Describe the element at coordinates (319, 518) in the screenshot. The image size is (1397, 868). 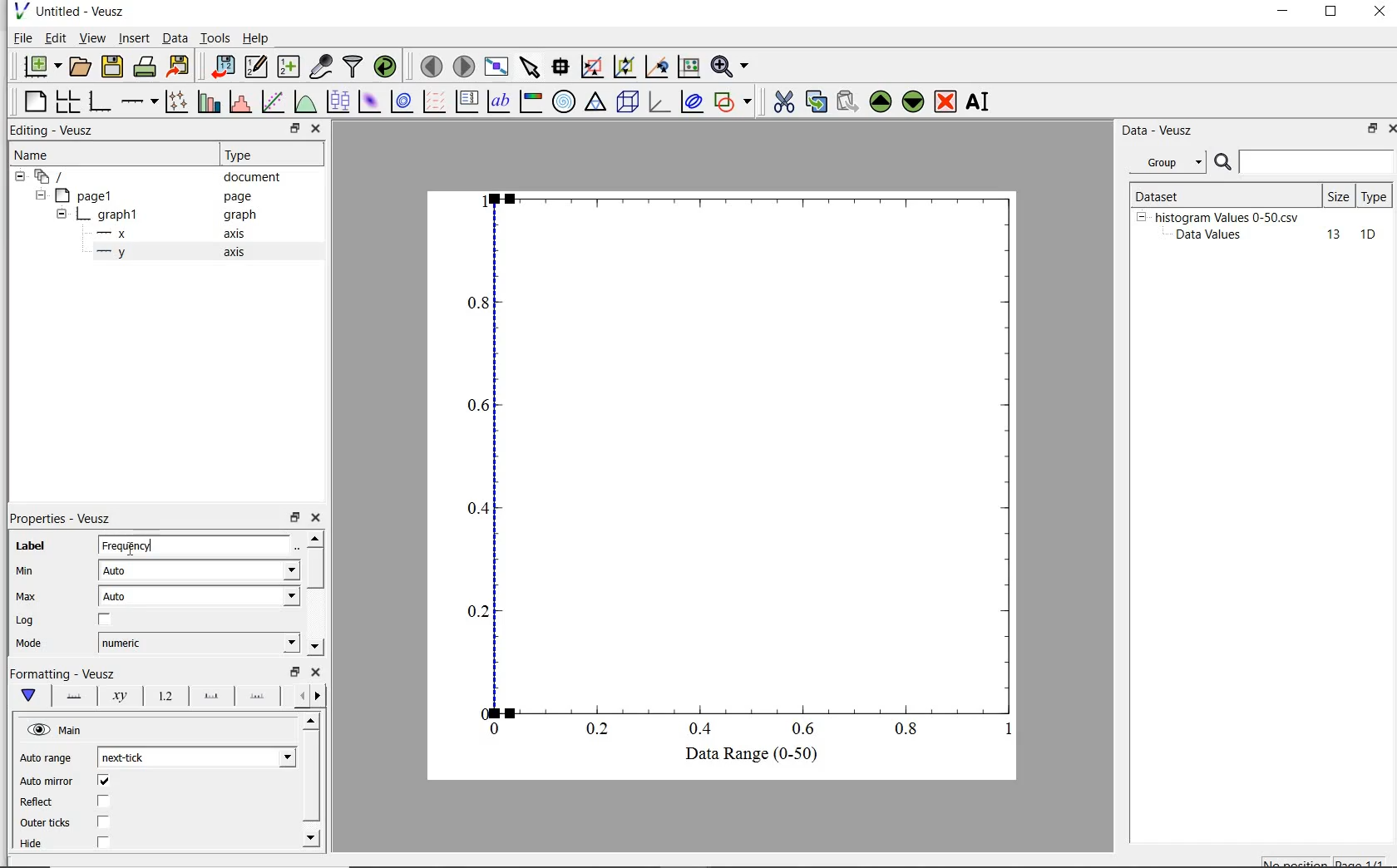
I see `close` at that location.